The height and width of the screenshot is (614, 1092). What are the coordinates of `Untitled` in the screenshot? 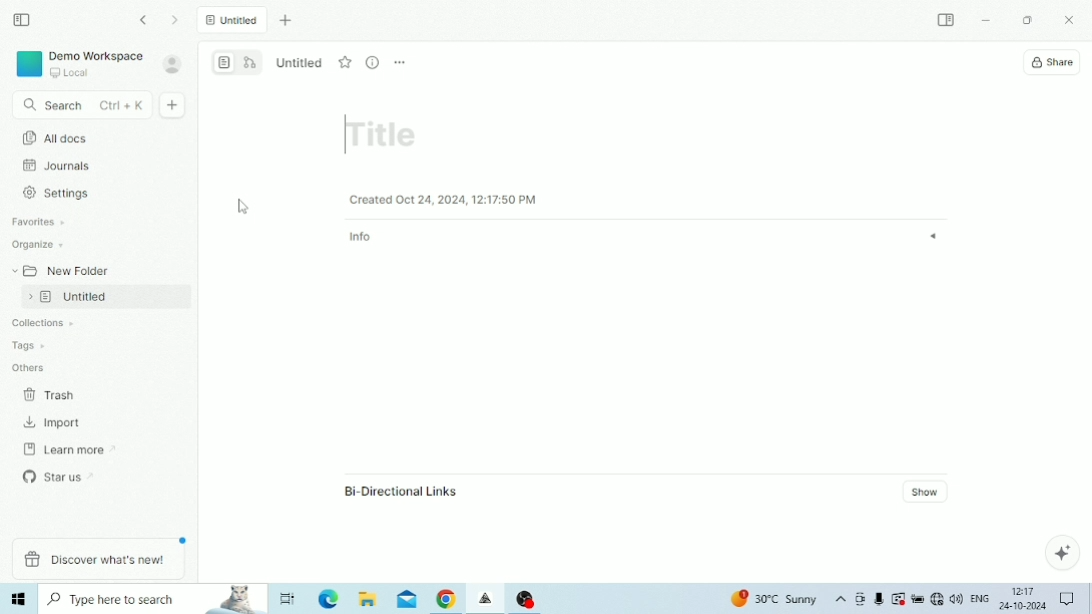 It's located at (233, 19).